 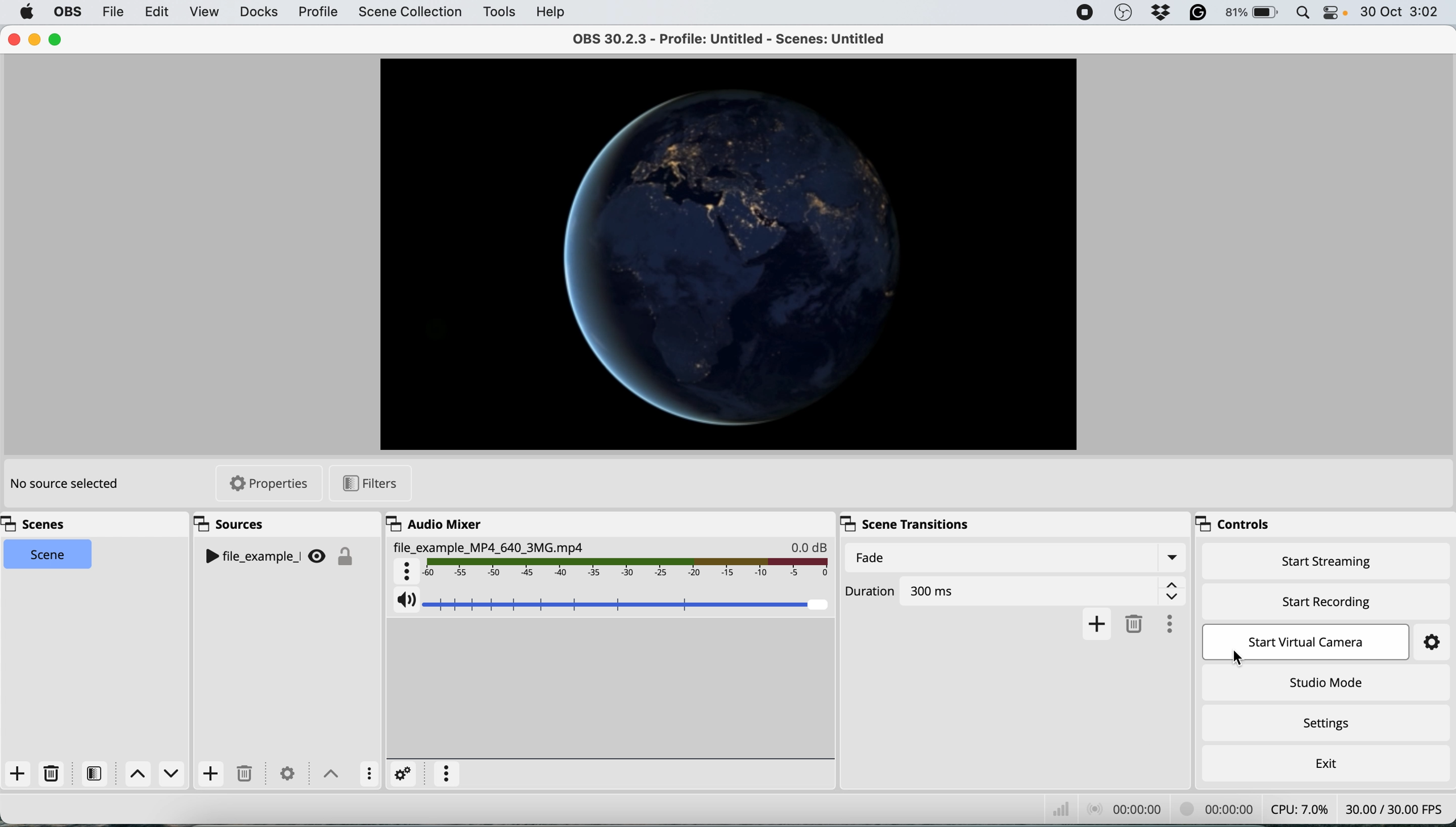 What do you see at coordinates (1320, 600) in the screenshot?
I see `start recording` at bounding box center [1320, 600].